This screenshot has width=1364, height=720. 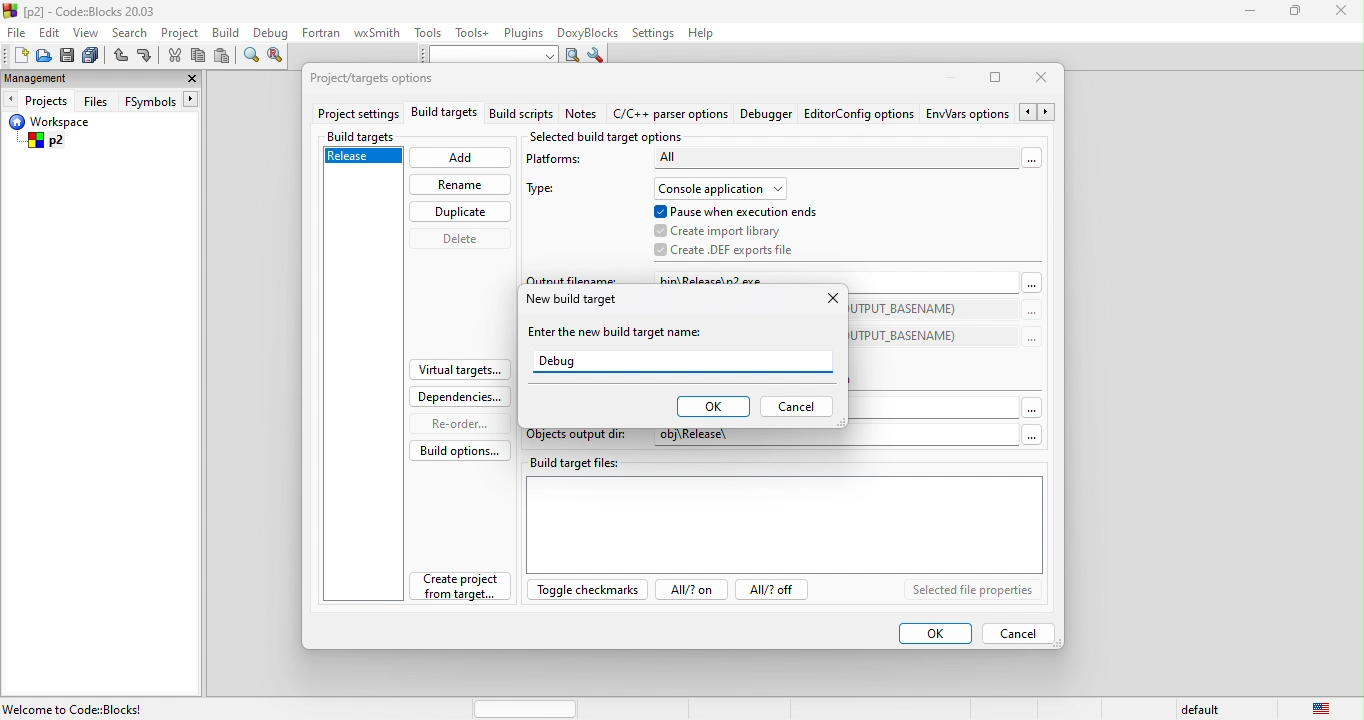 What do you see at coordinates (833, 297) in the screenshot?
I see `close` at bounding box center [833, 297].